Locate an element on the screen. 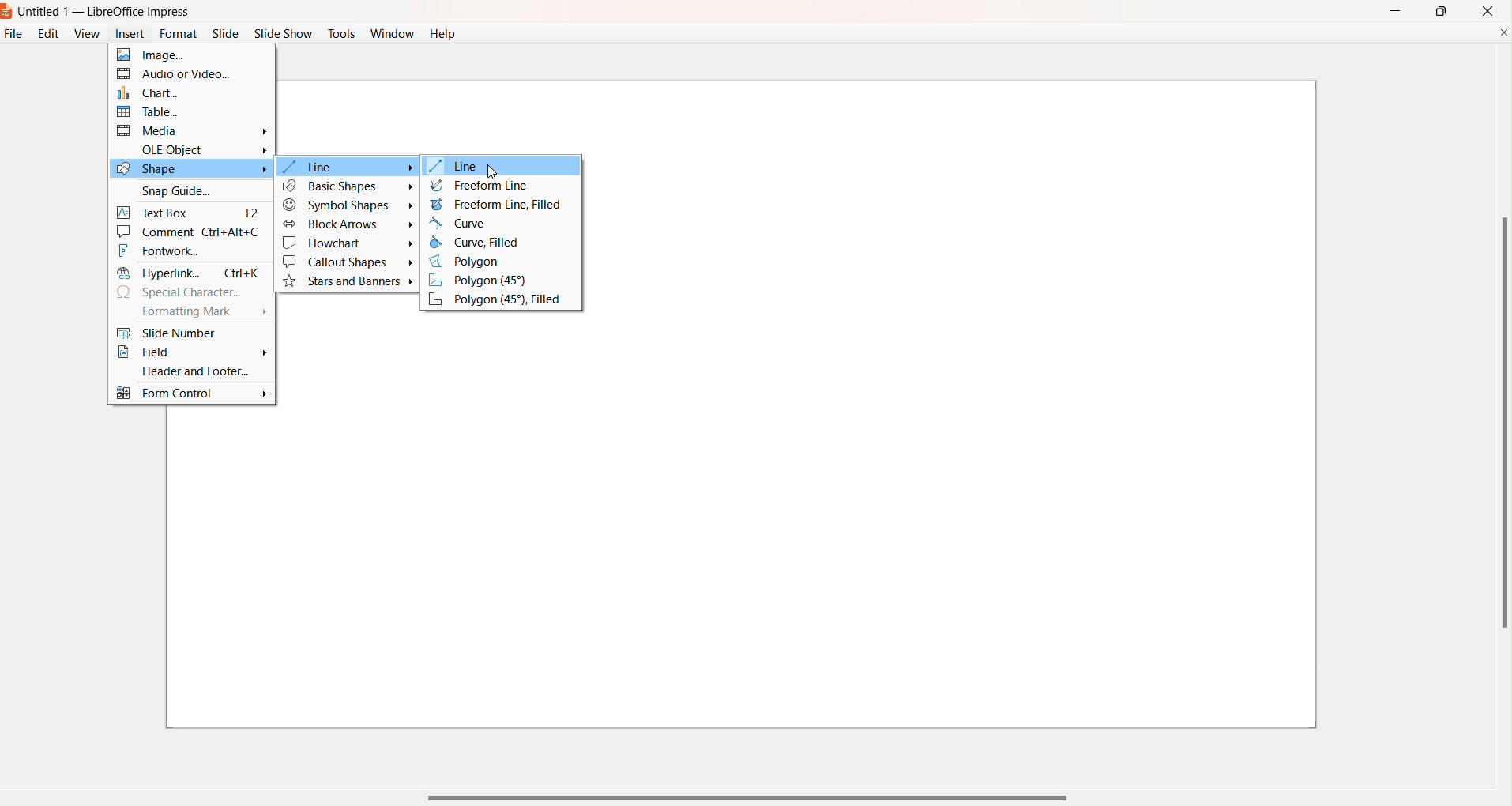  Close Document is located at coordinates (1503, 32).